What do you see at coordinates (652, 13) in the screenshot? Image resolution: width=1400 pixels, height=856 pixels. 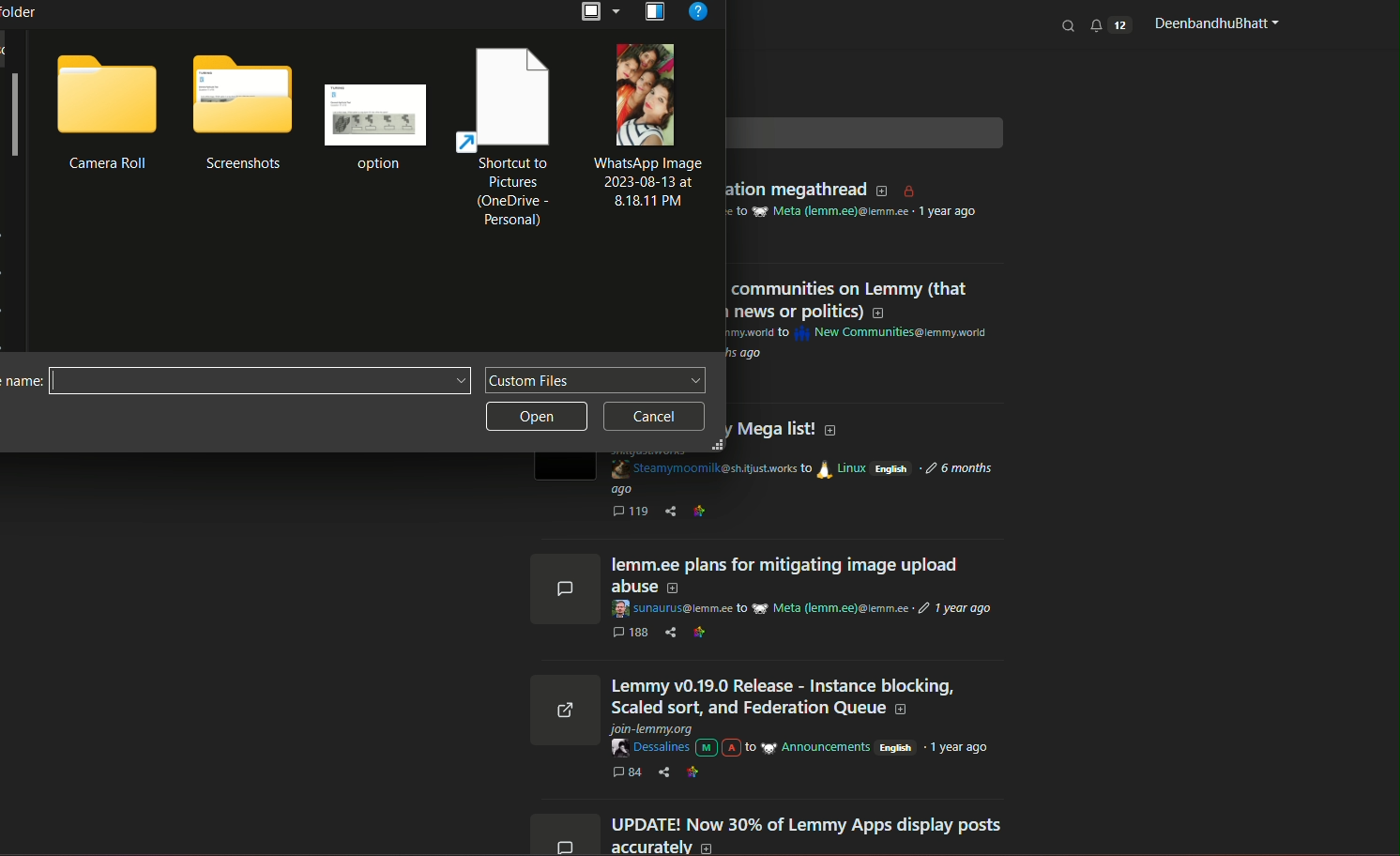 I see `icon` at bounding box center [652, 13].